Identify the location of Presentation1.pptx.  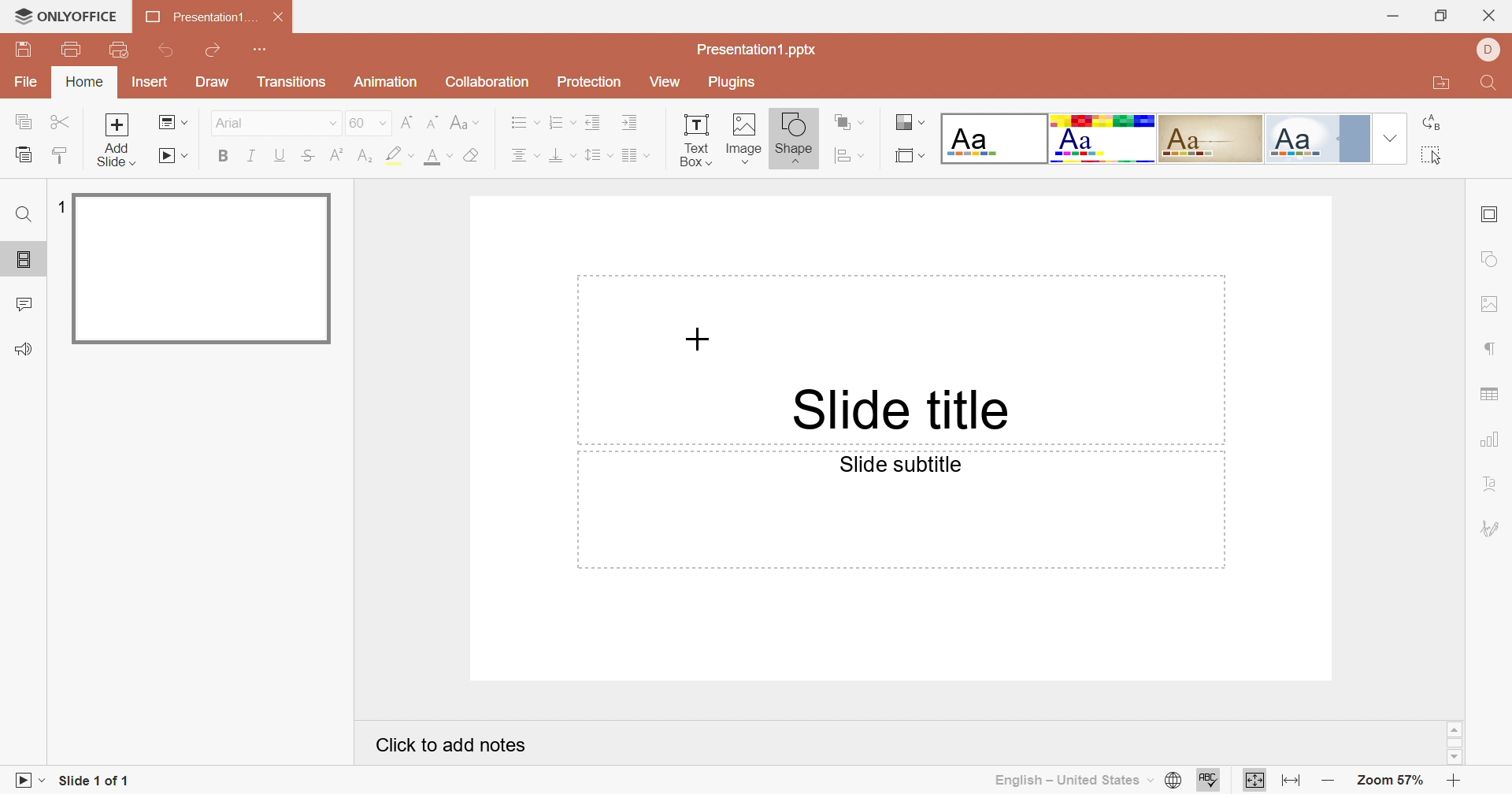
(755, 50).